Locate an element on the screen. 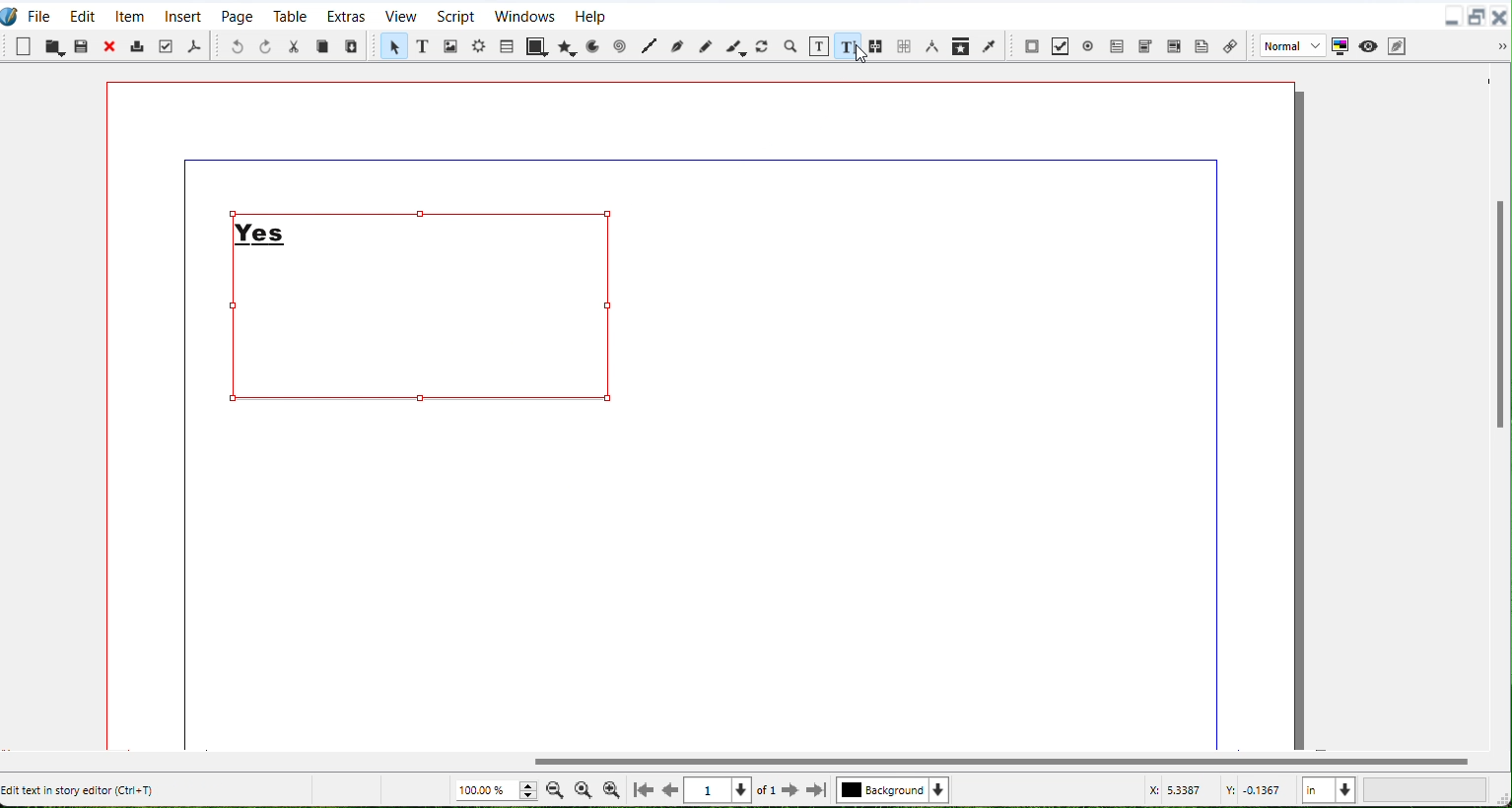  Calligraphic line is located at coordinates (736, 46).